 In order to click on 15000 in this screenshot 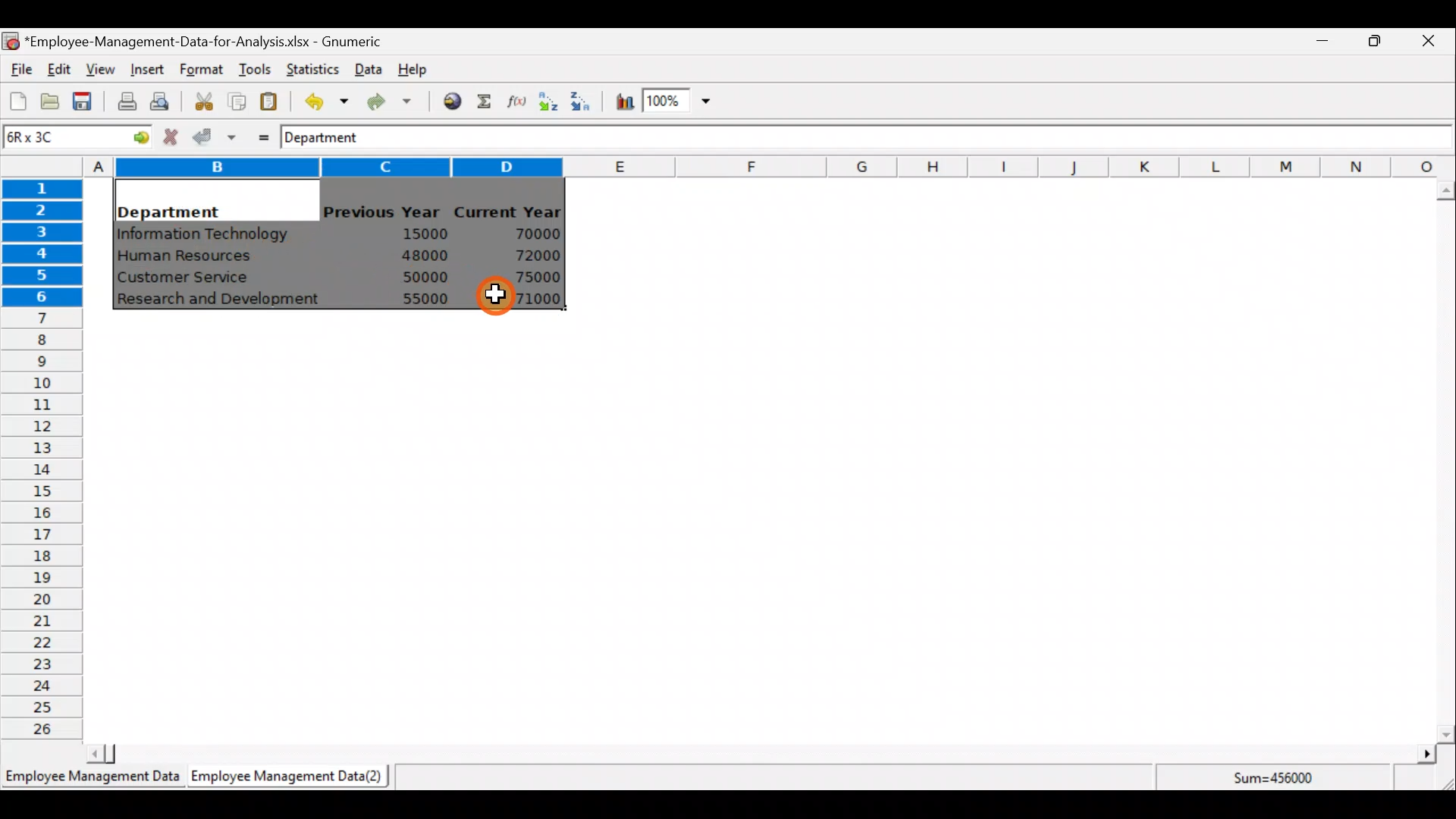, I will do `click(419, 233)`.